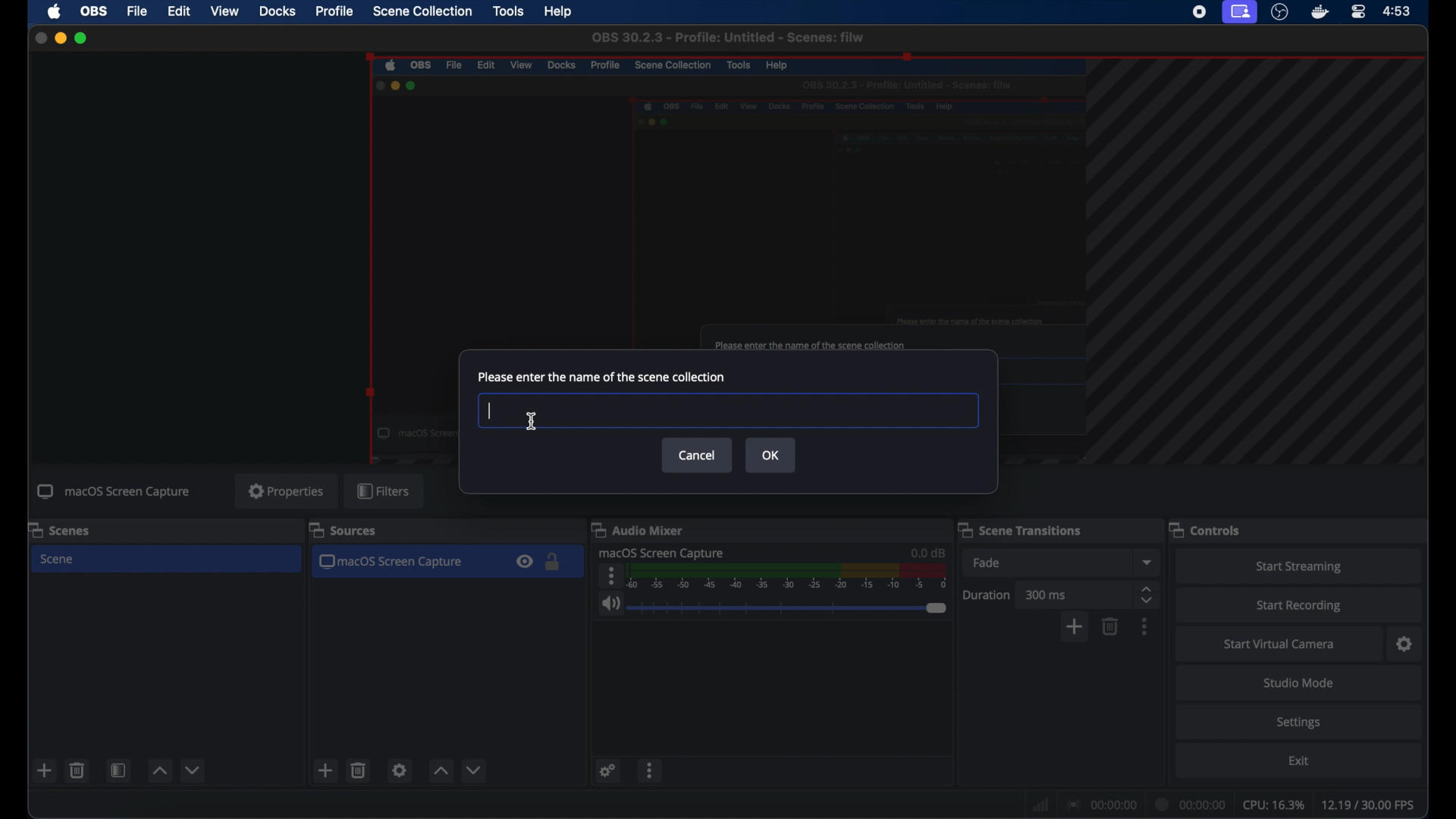 Image resolution: width=1456 pixels, height=819 pixels. Describe the element at coordinates (193, 770) in the screenshot. I see `decrement` at that location.